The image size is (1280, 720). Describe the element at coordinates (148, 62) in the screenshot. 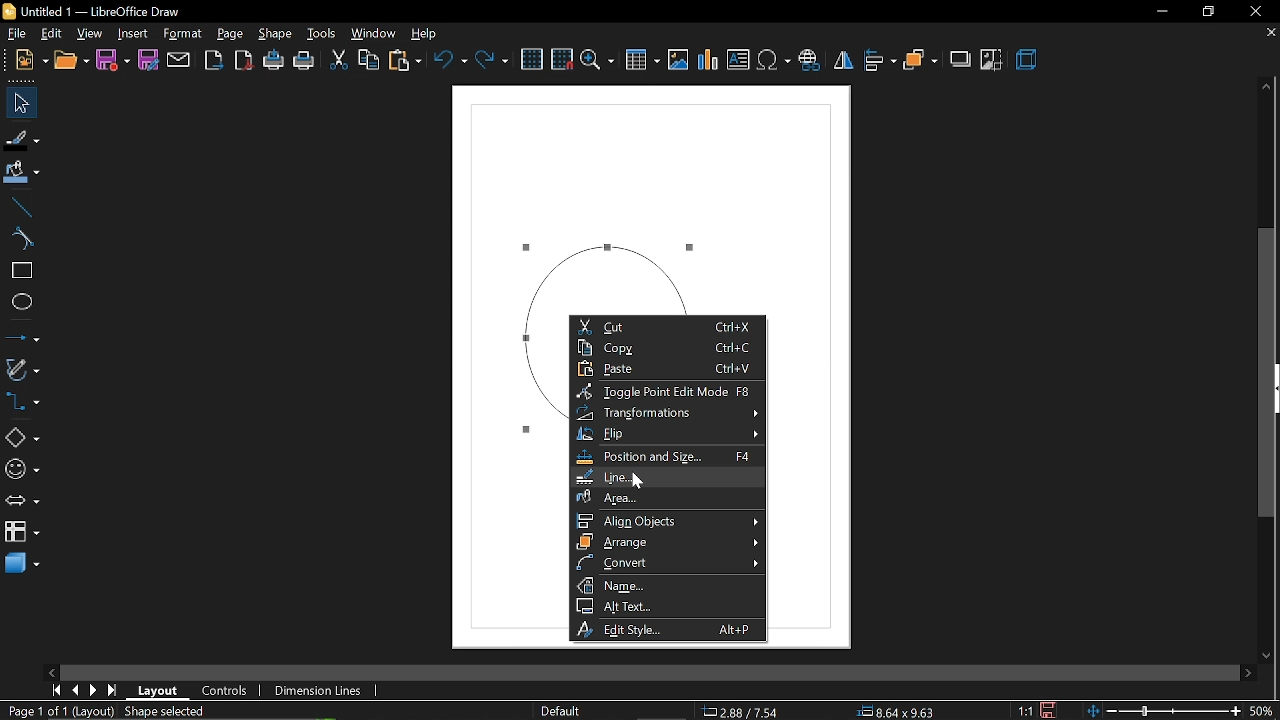

I see `save as` at that location.